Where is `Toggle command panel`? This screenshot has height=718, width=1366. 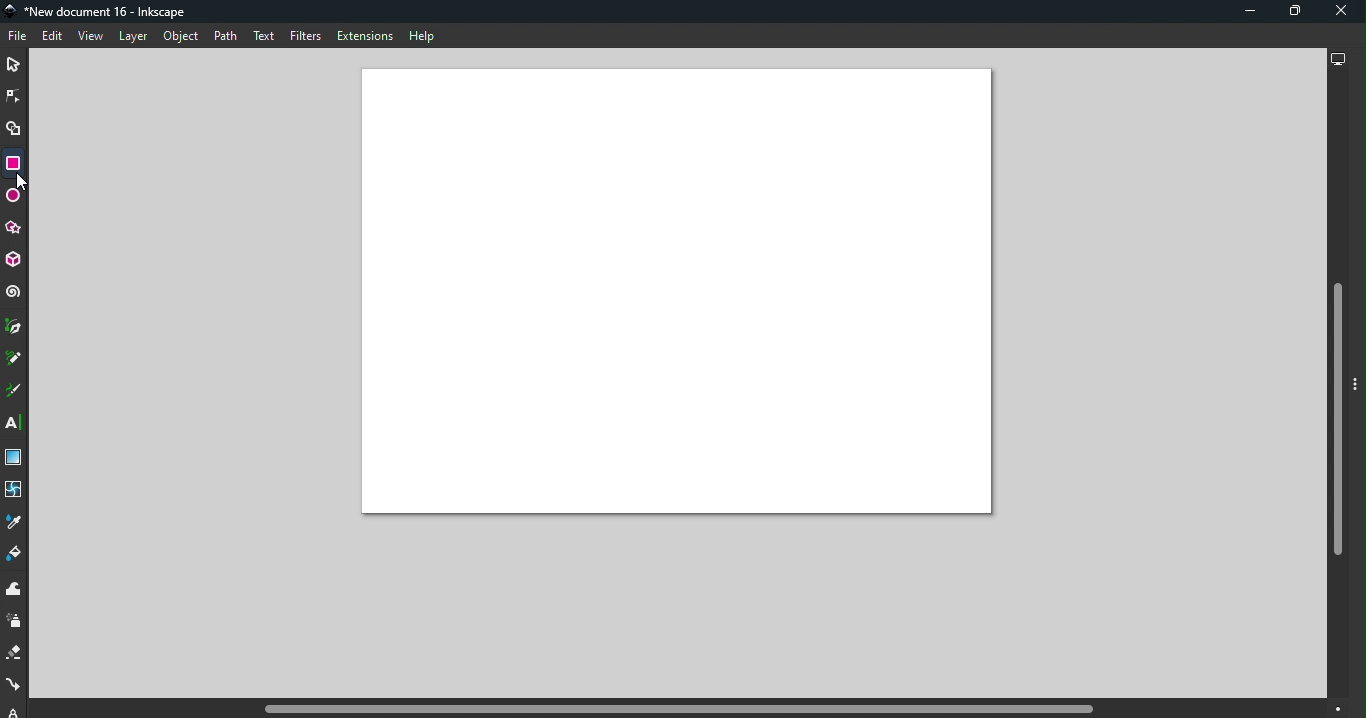 Toggle command panel is located at coordinates (1358, 386).